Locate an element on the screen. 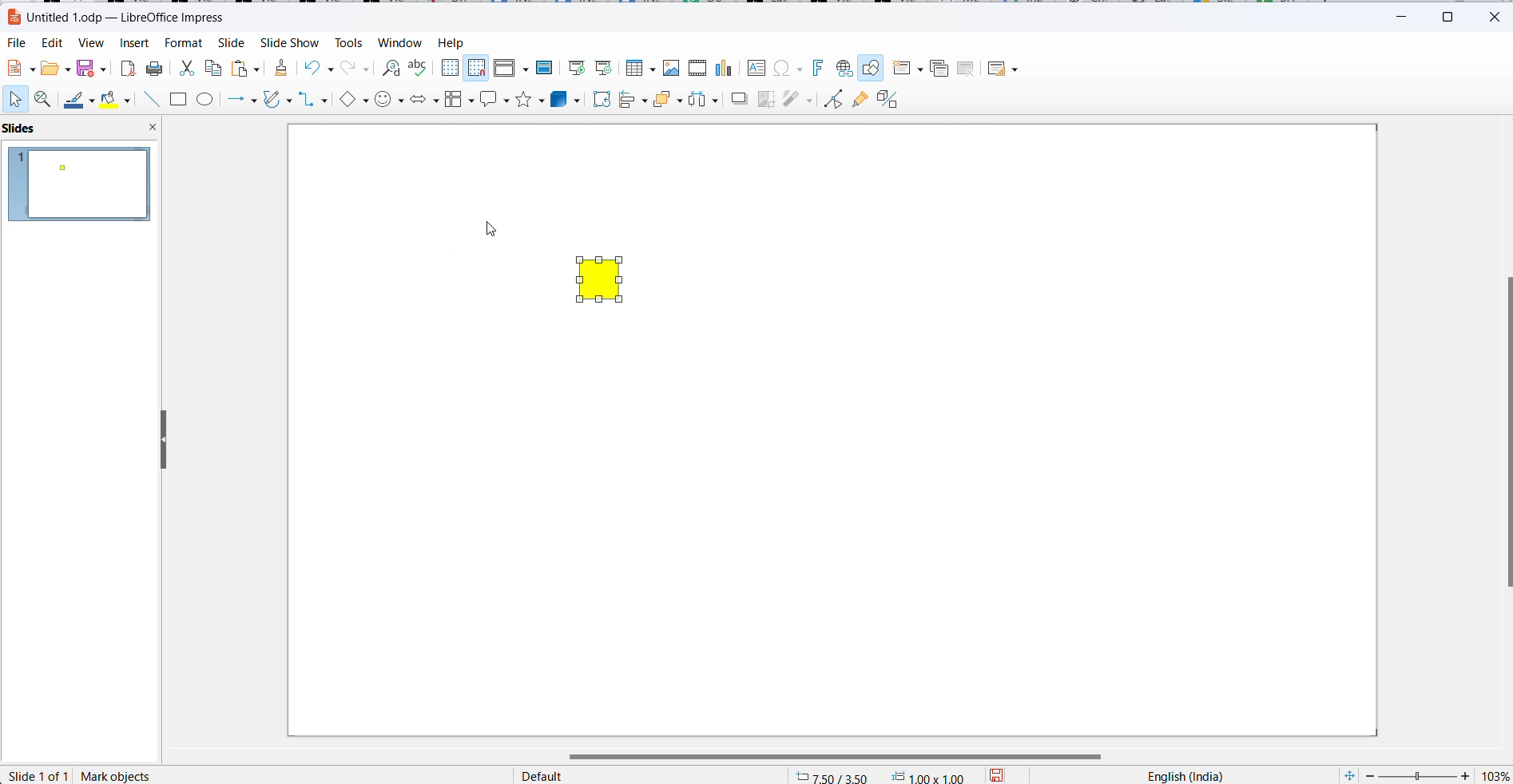 This screenshot has height=784, width=1513. paste options is located at coordinates (245, 69).